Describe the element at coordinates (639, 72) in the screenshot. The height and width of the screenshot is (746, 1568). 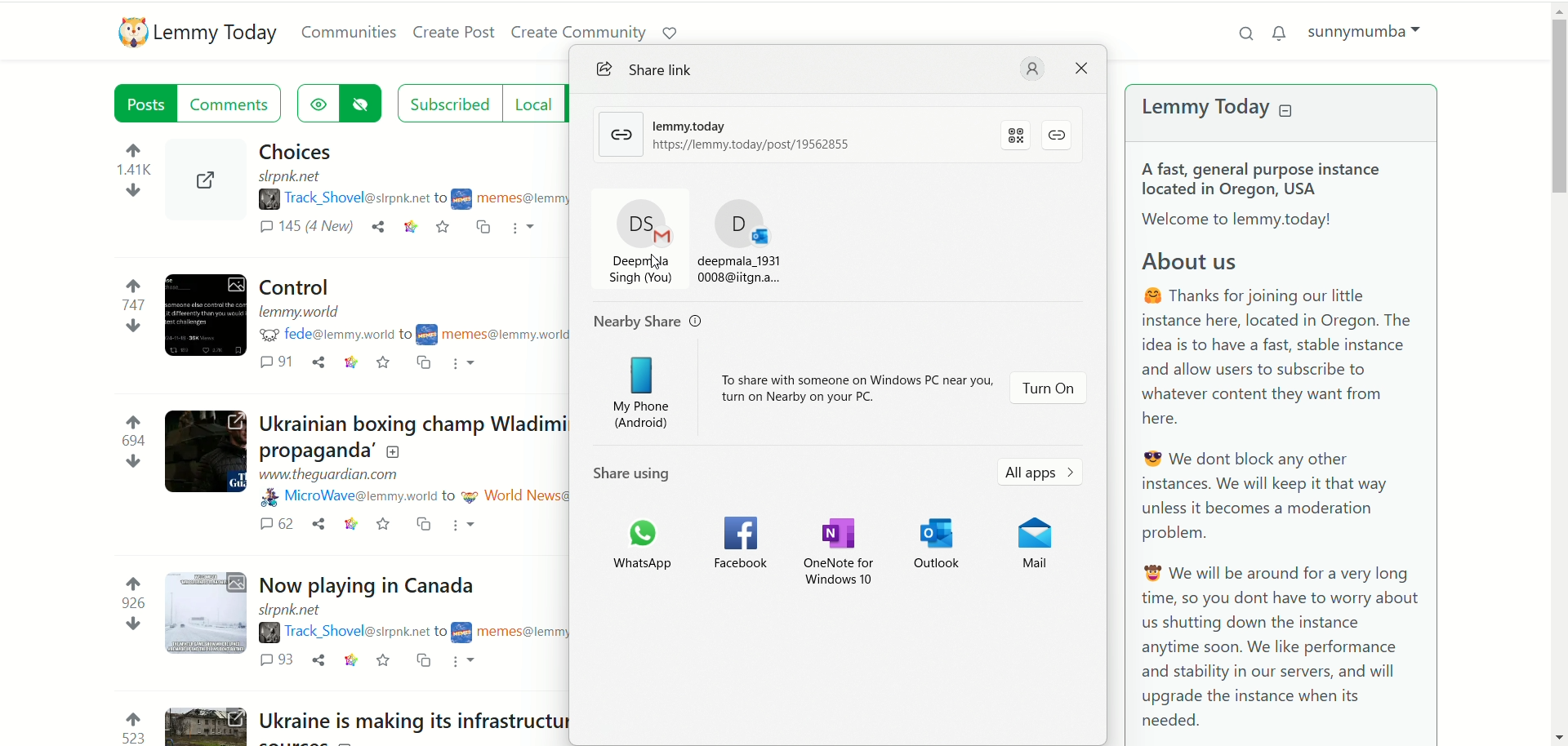
I see `share link` at that location.